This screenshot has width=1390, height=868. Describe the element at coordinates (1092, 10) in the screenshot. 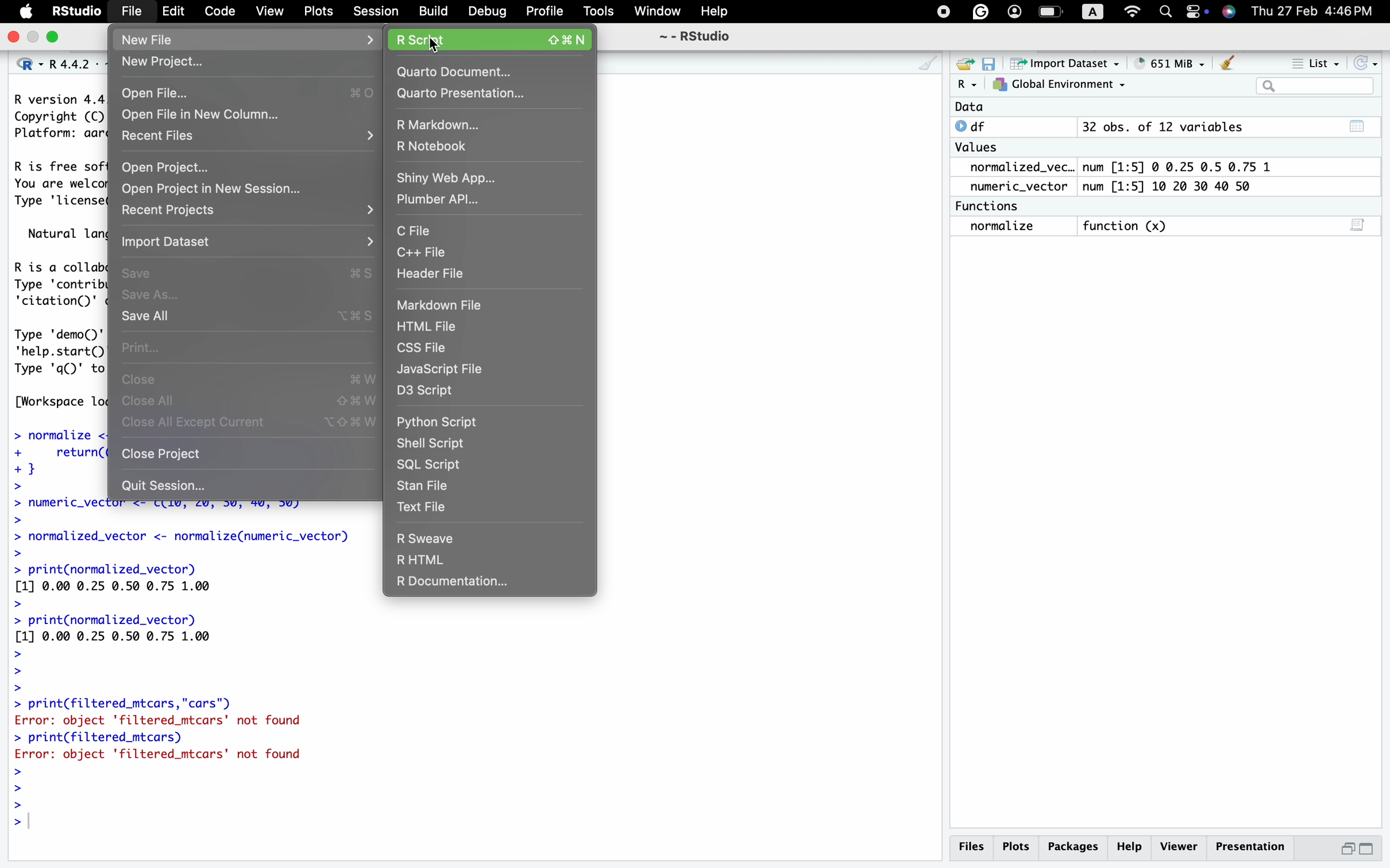

I see `A` at that location.